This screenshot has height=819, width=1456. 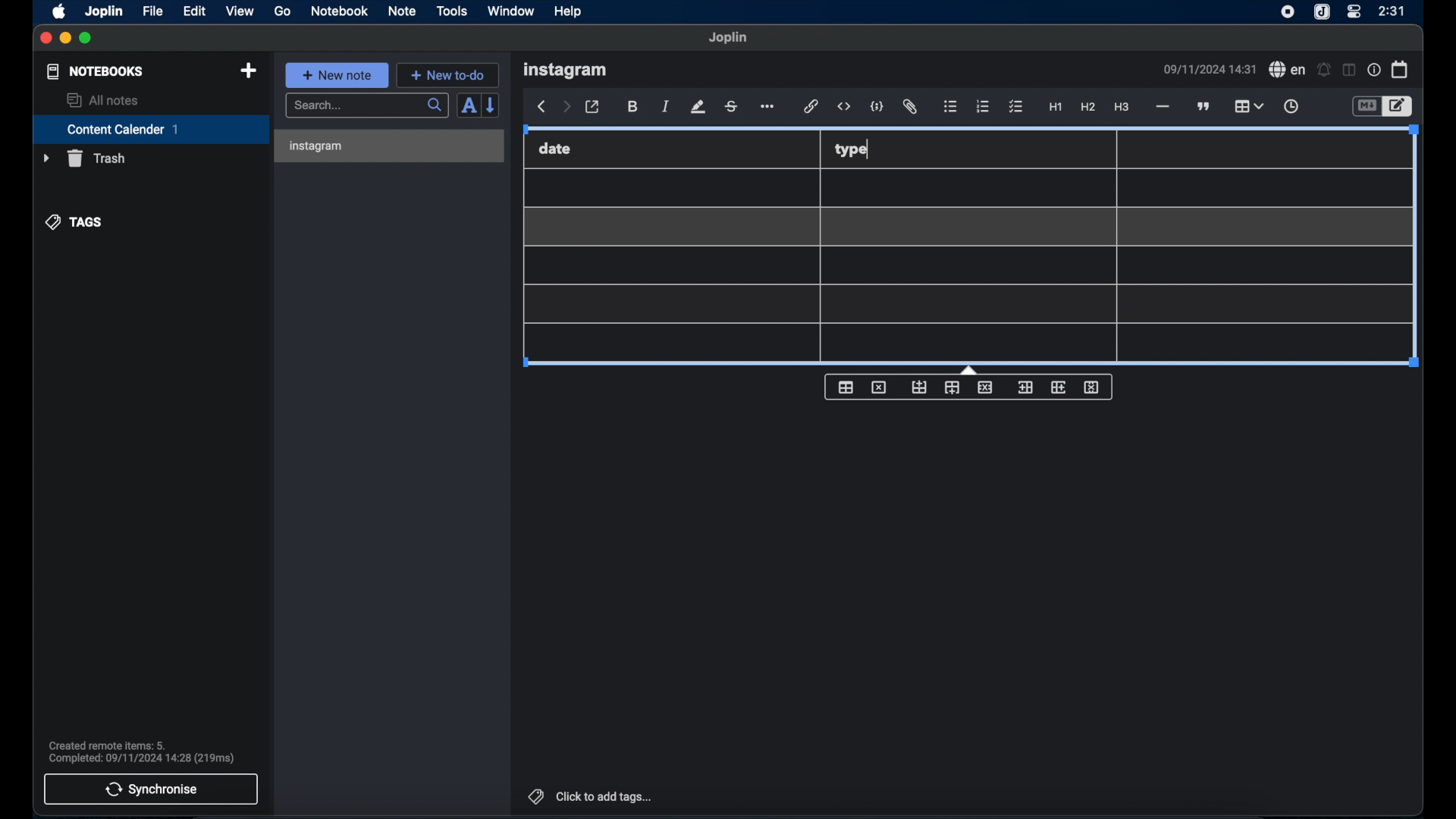 I want to click on toggle editor, so click(x=1401, y=105).